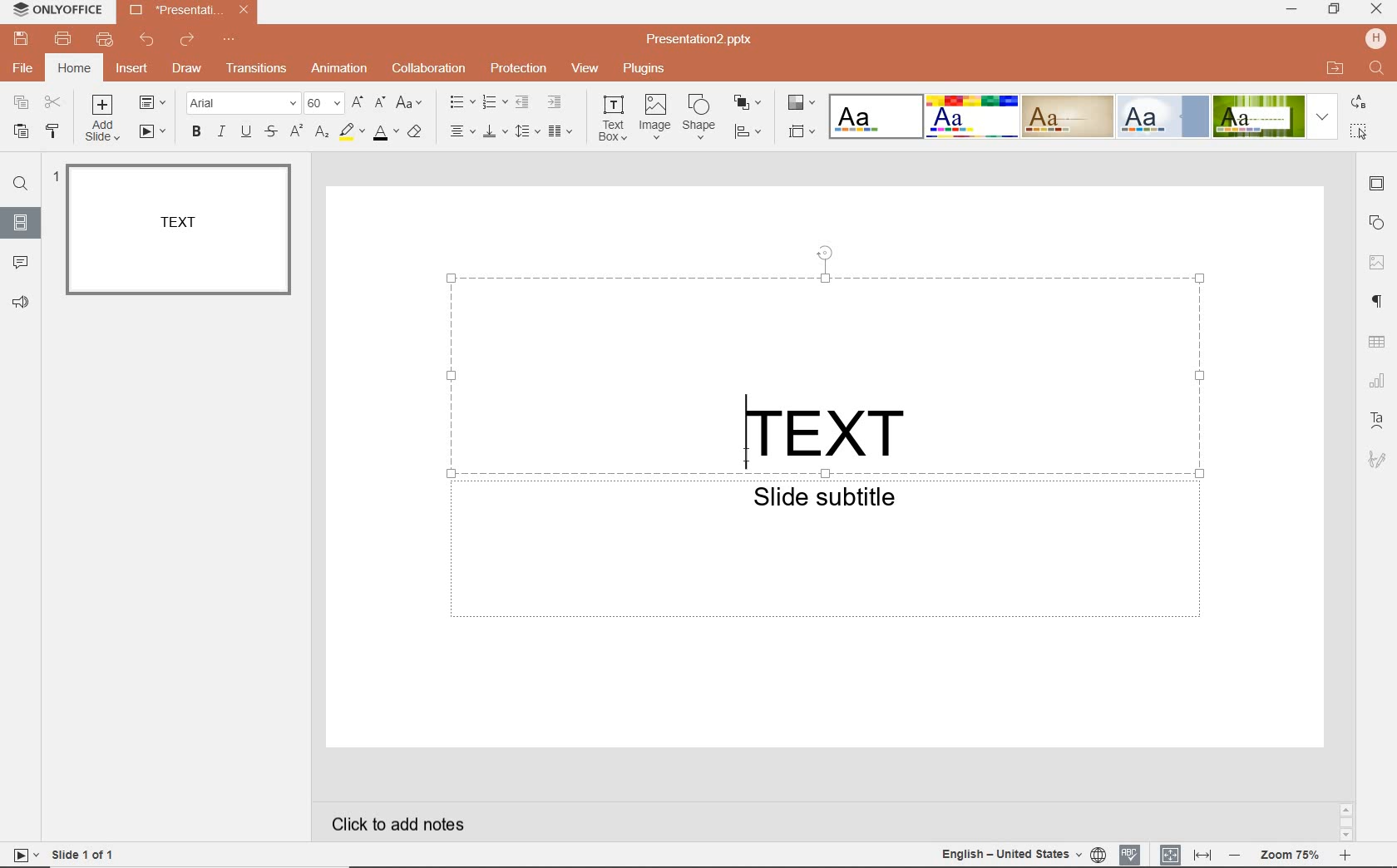 The width and height of the screenshot is (1397, 868). What do you see at coordinates (800, 104) in the screenshot?
I see `CHANGE COLOR THEME` at bounding box center [800, 104].